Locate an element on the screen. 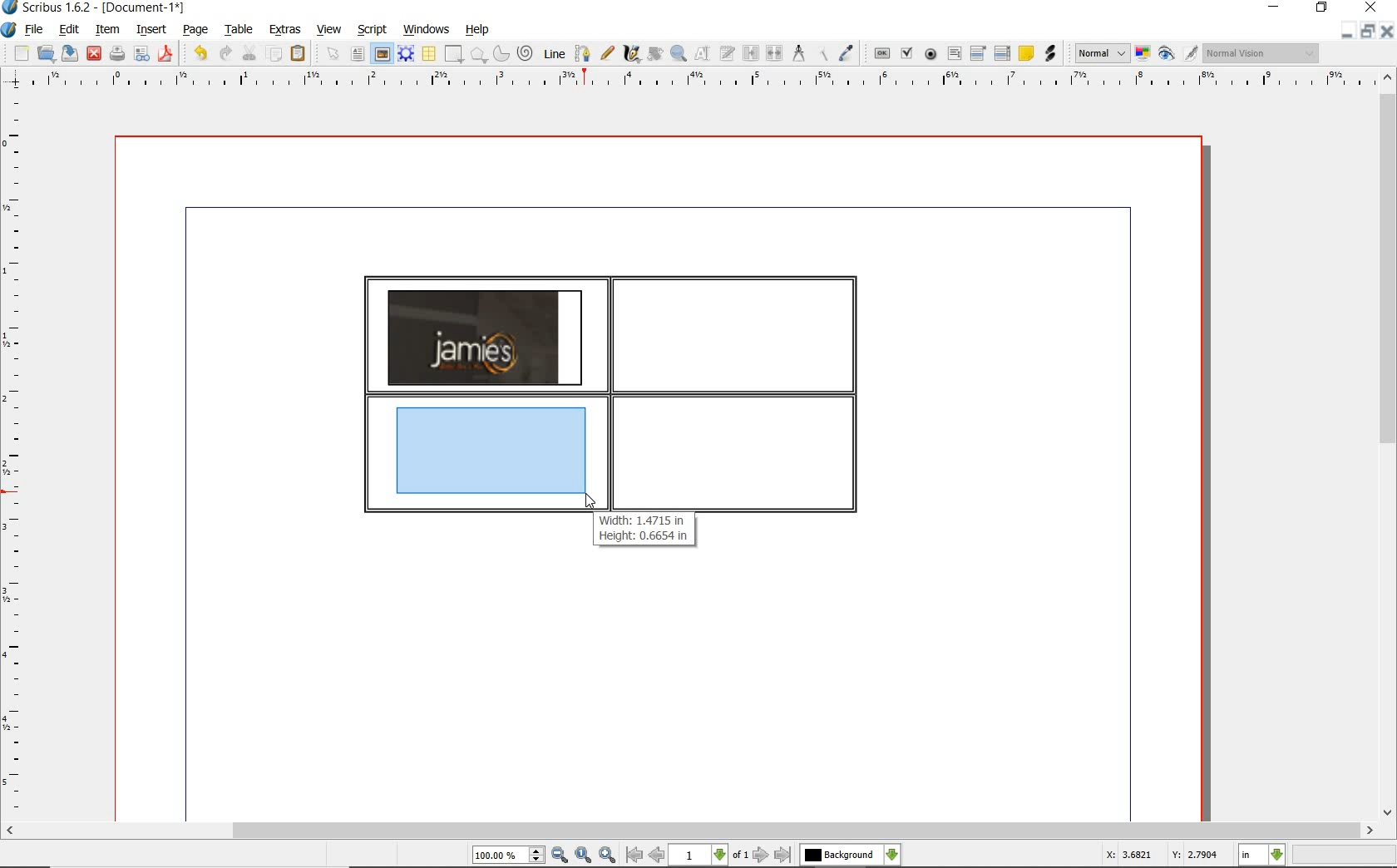 The width and height of the screenshot is (1397, 868). eye dropper is located at coordinates (847, 53).